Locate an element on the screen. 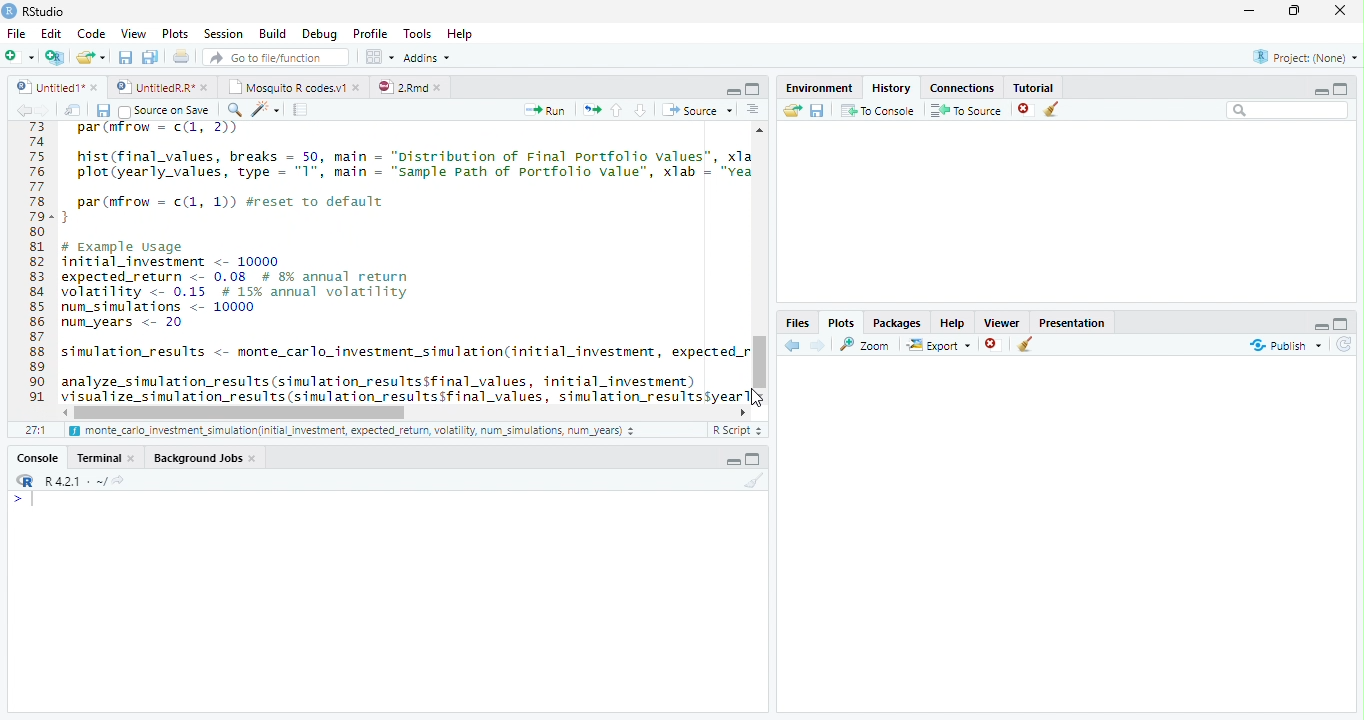  Code Tools is located at coordinates (266, 110).